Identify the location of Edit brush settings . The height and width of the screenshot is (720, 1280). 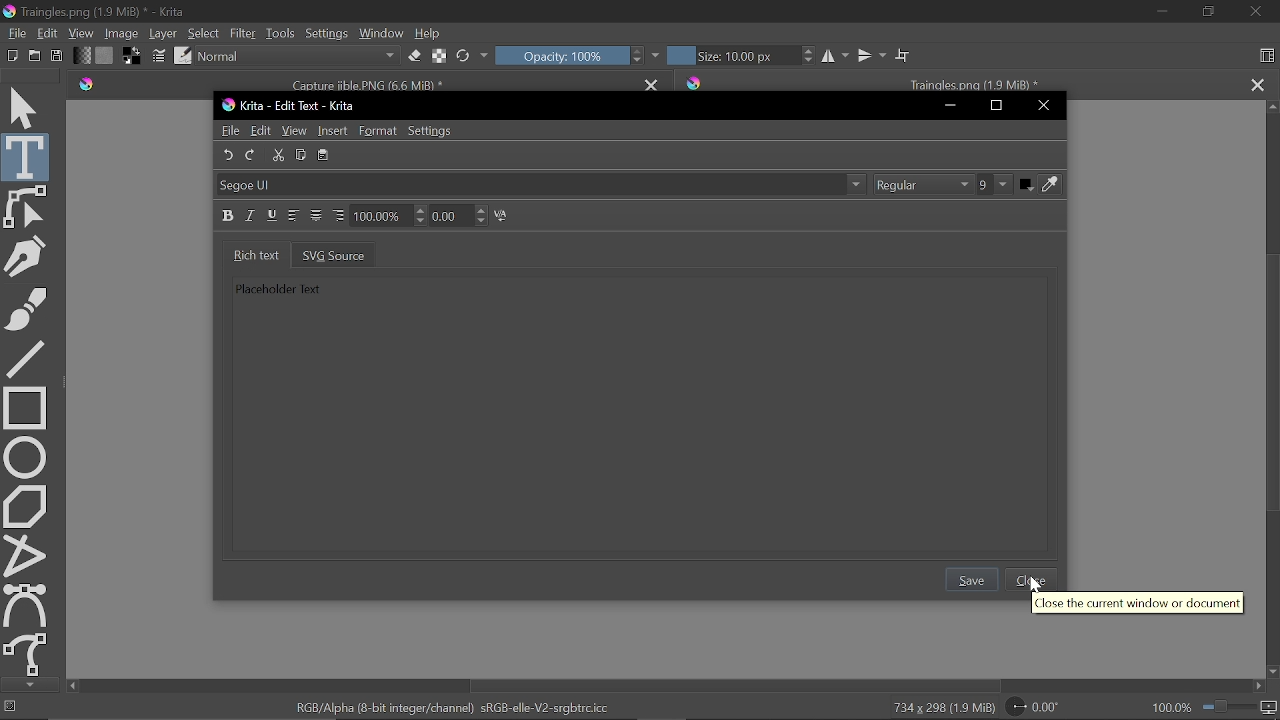
(160, 57).